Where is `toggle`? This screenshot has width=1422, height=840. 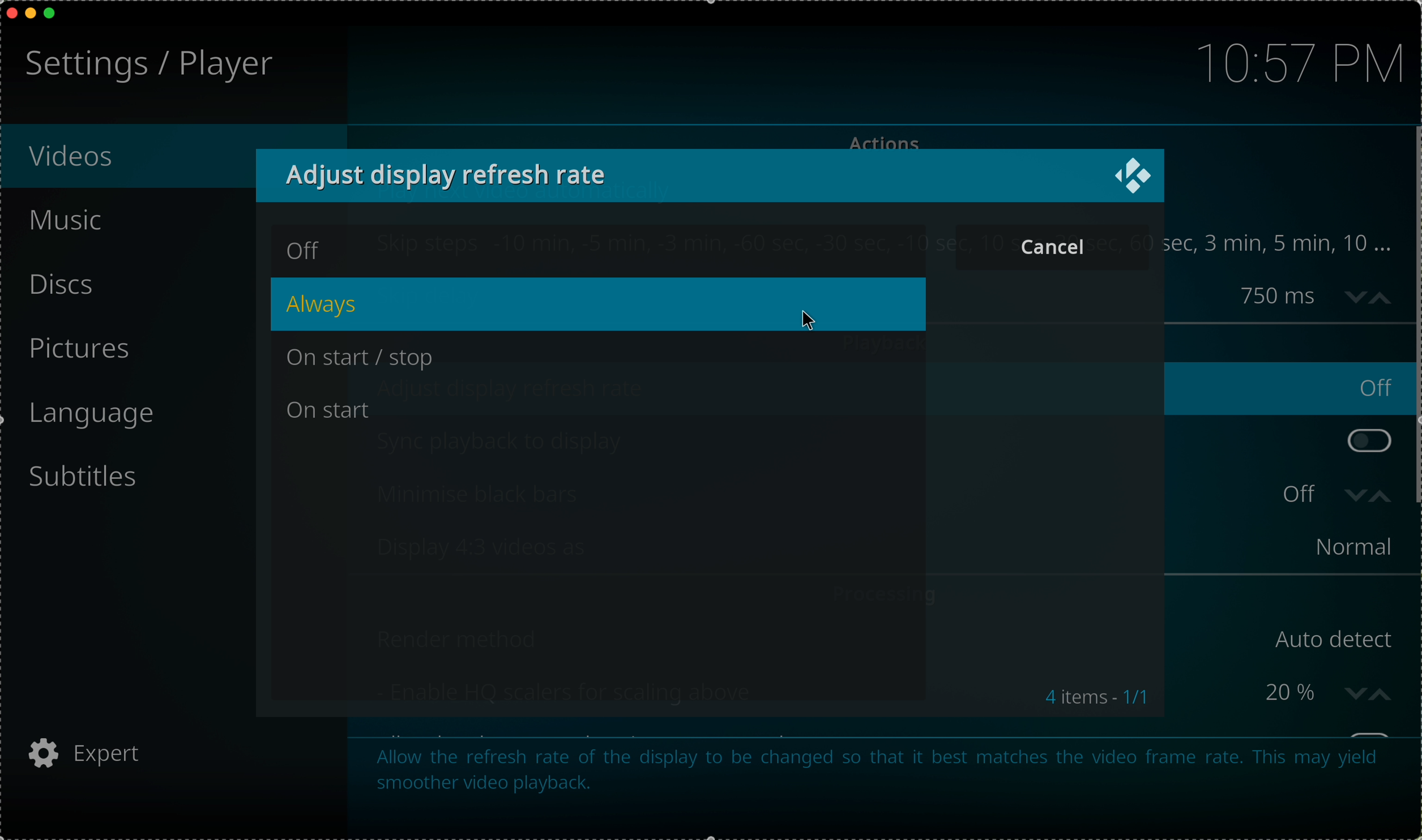
toggle is located at coordinates (1369, 441).